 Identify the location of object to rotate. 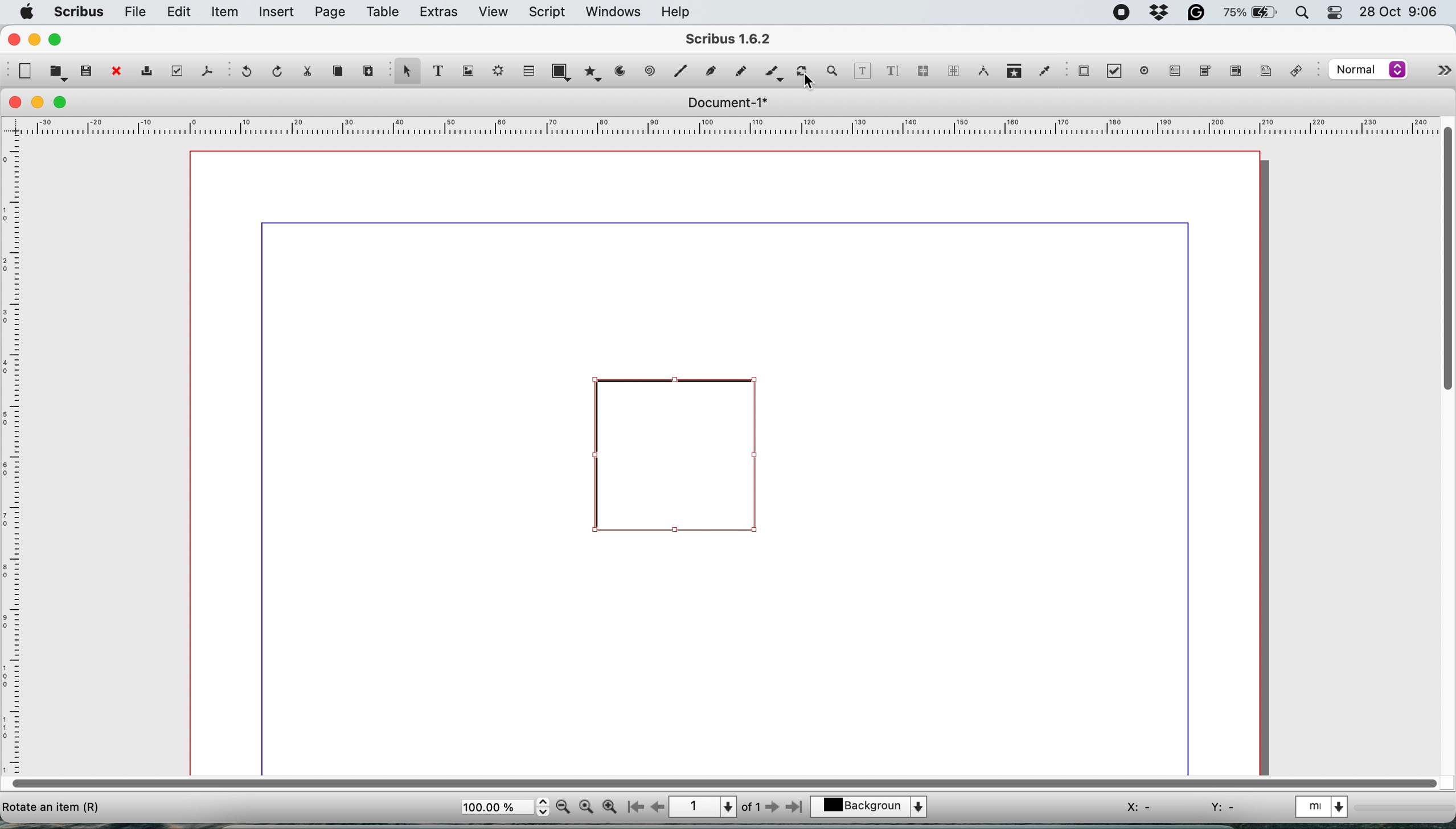
(676, 462).